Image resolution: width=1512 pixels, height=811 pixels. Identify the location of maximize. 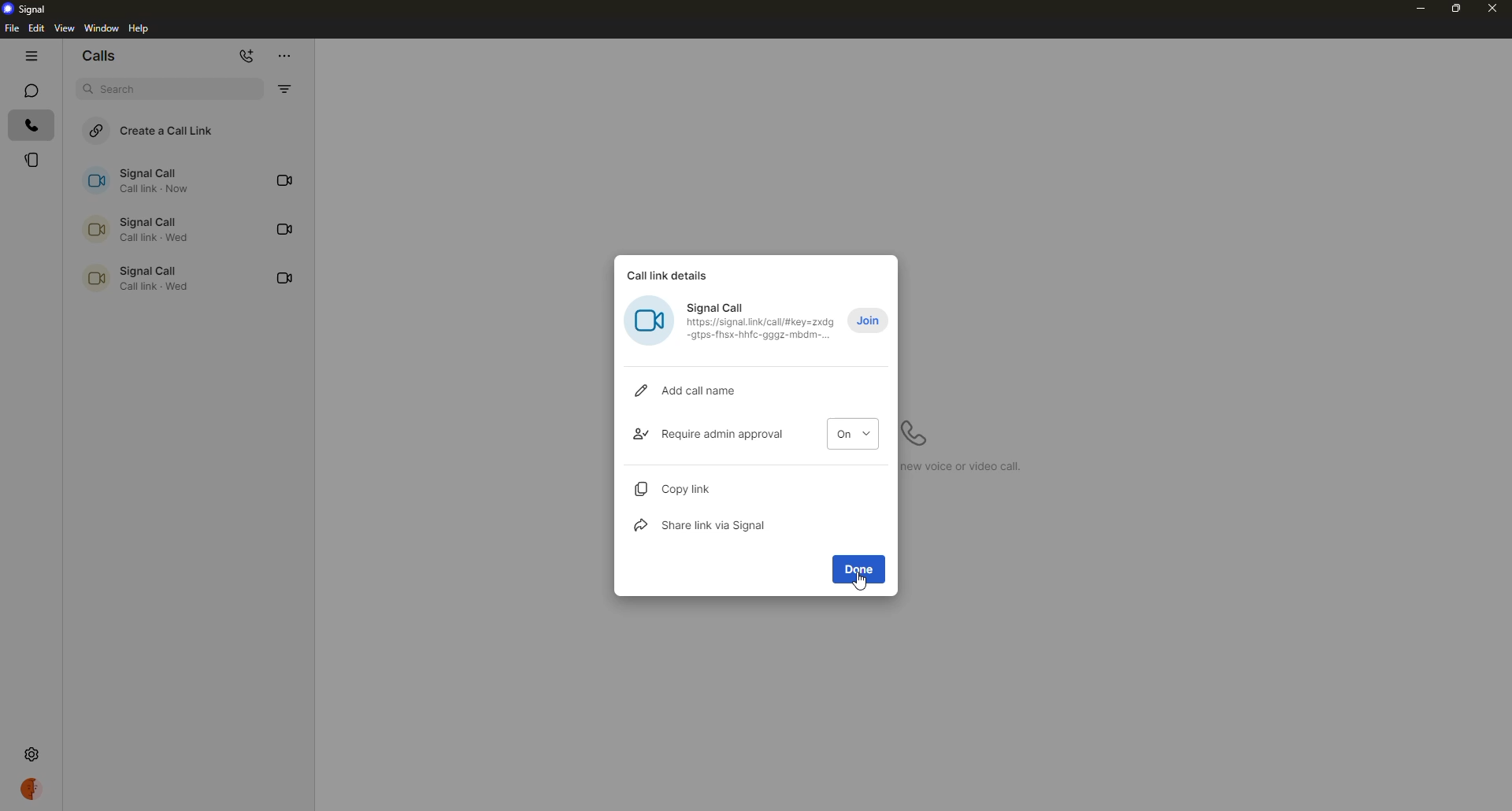
(1455, 9).